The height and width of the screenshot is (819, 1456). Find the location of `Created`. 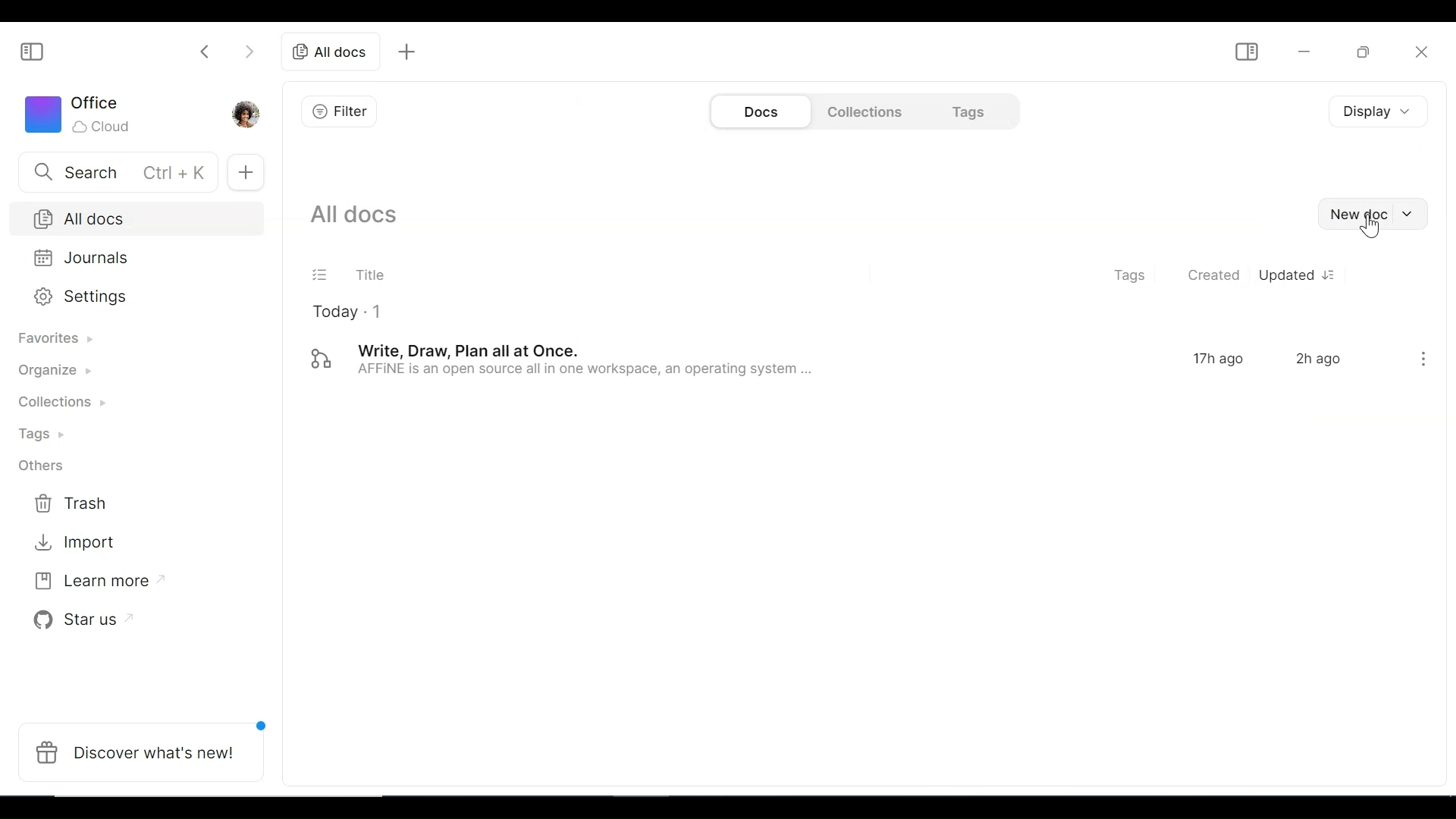

Created is located at coordinates (1212, 277).